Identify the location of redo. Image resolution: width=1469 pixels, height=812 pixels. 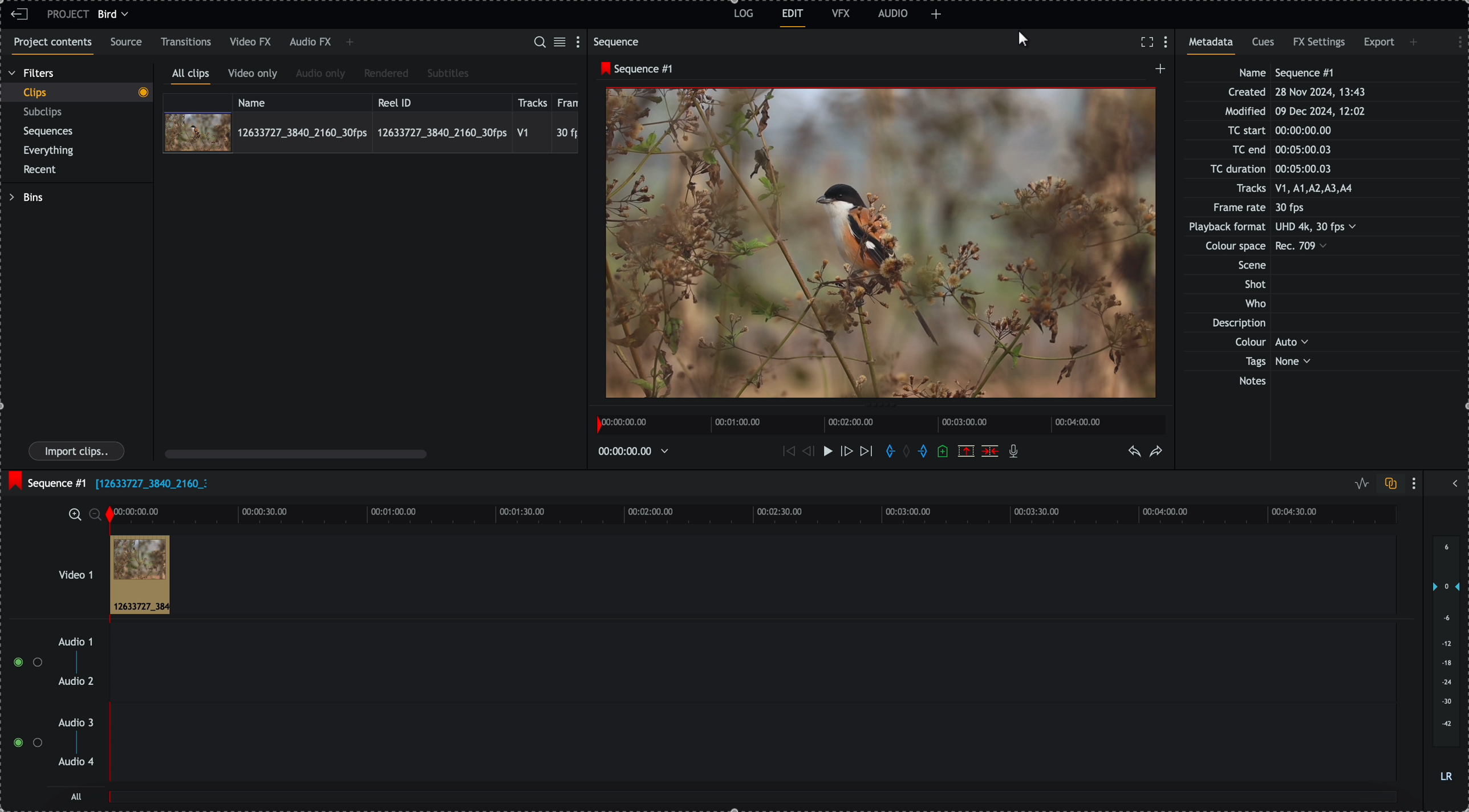
(1156, 452).